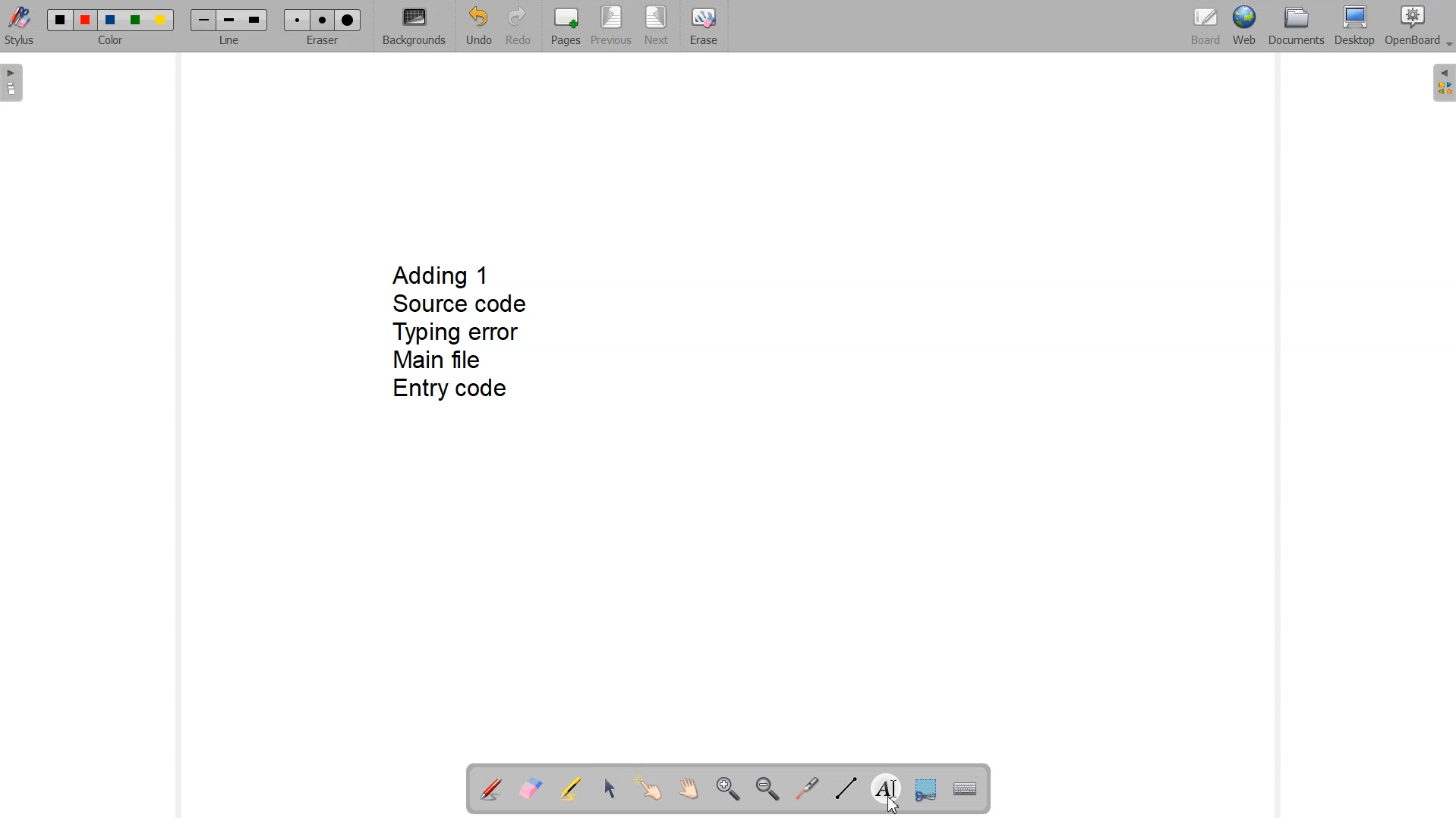 This screenshot has width=1456, height=818. Describe the element at coordinates (162, 20) in the screenshot. I see `Color 5` at that location.